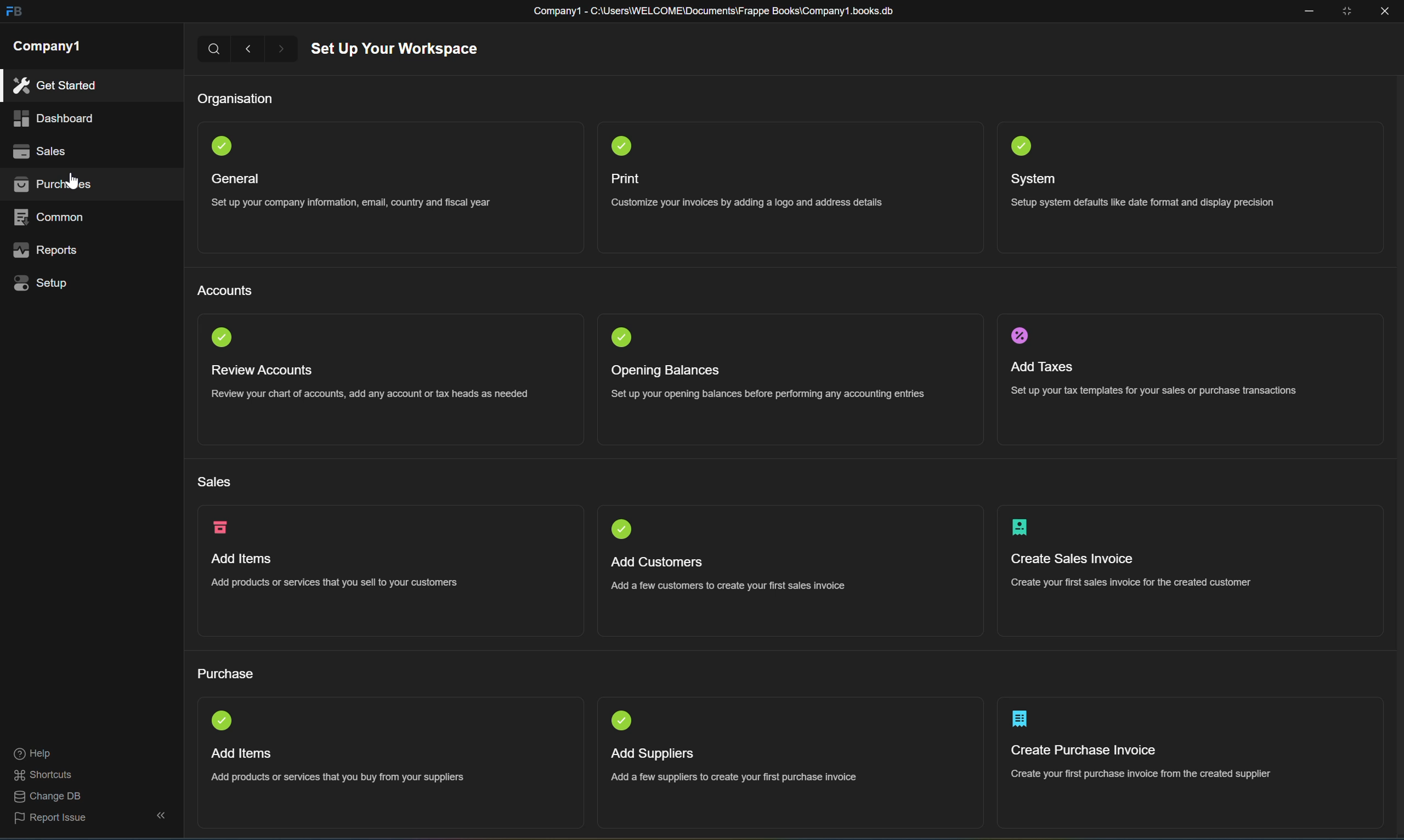 This screenshot has width=1404, height=840. I want to click on sales, so click(37, 149).